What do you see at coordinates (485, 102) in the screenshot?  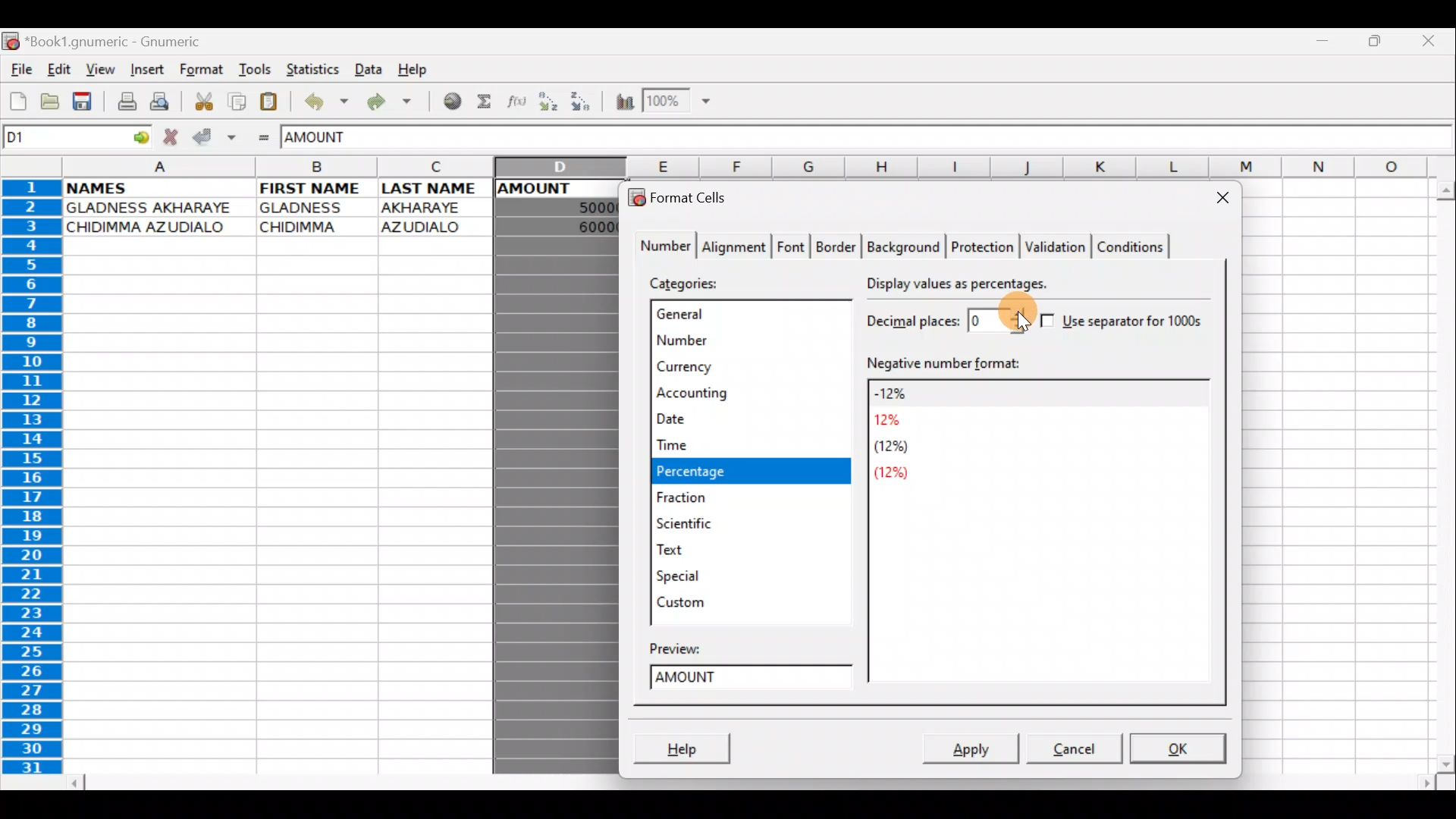 I see `Sum in the current cell` at bounding box center [485, 102].